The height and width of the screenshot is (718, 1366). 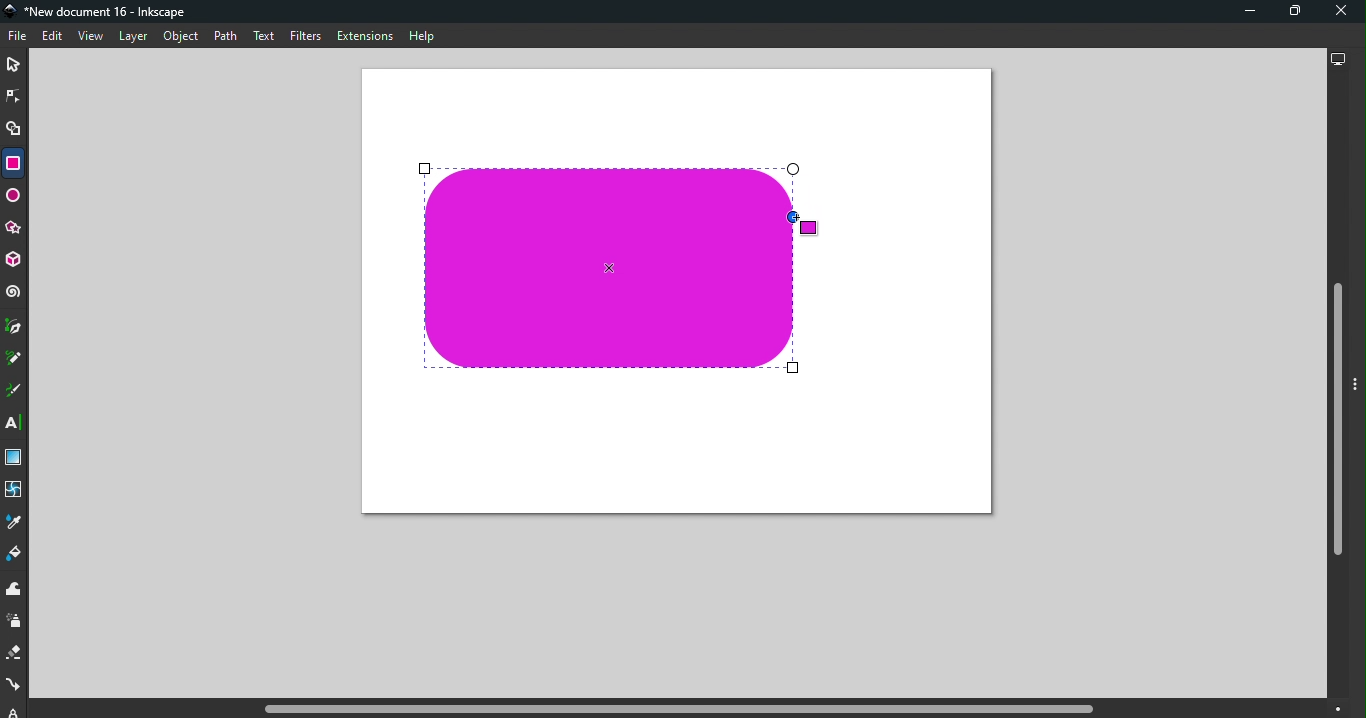 What do you see at coordinates (16, 132) in the screenshot?
I see `Shape builder tool` at bounding box center [16, 132].